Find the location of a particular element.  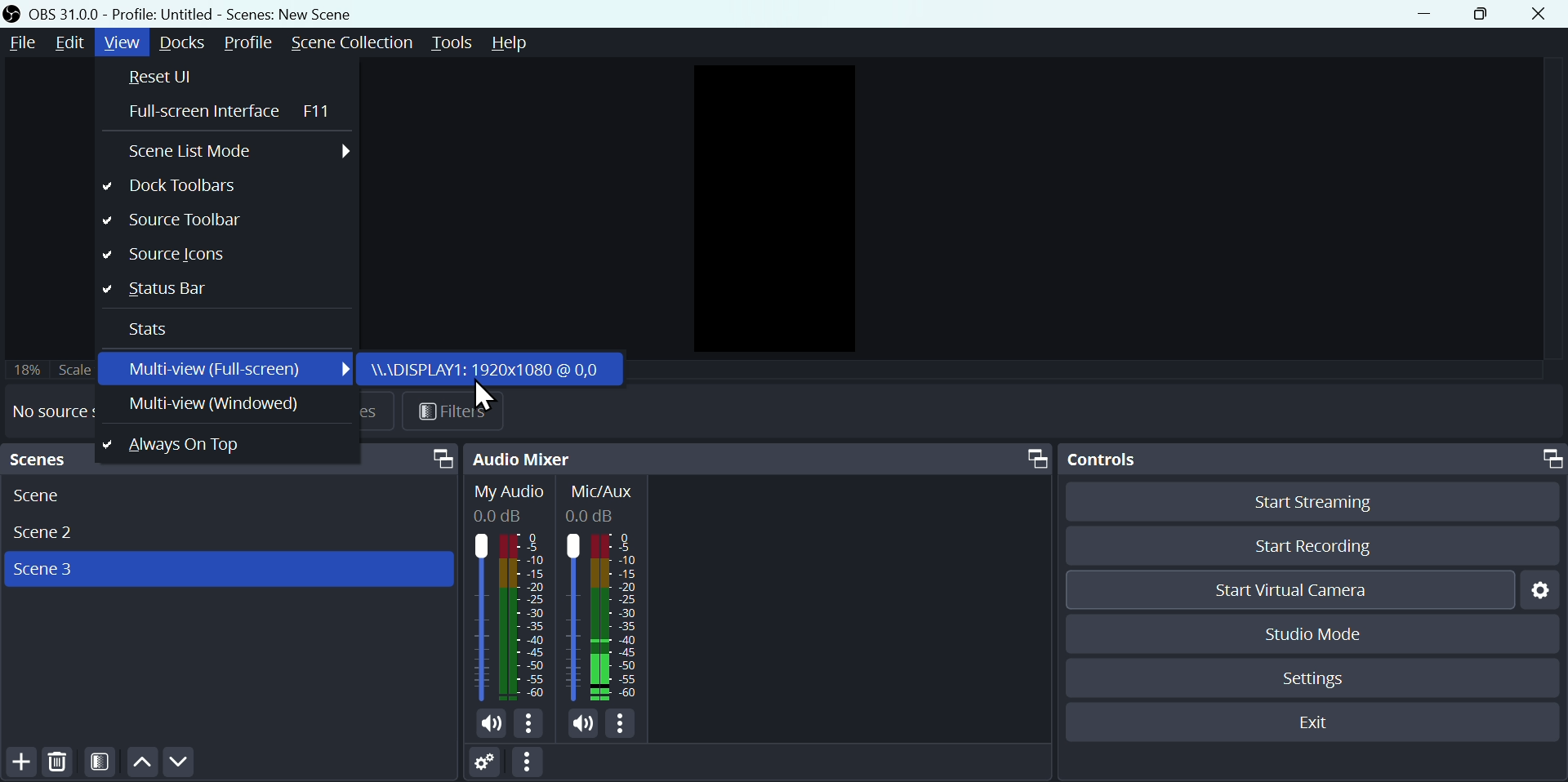

 is located at coordinates (1424, 13).